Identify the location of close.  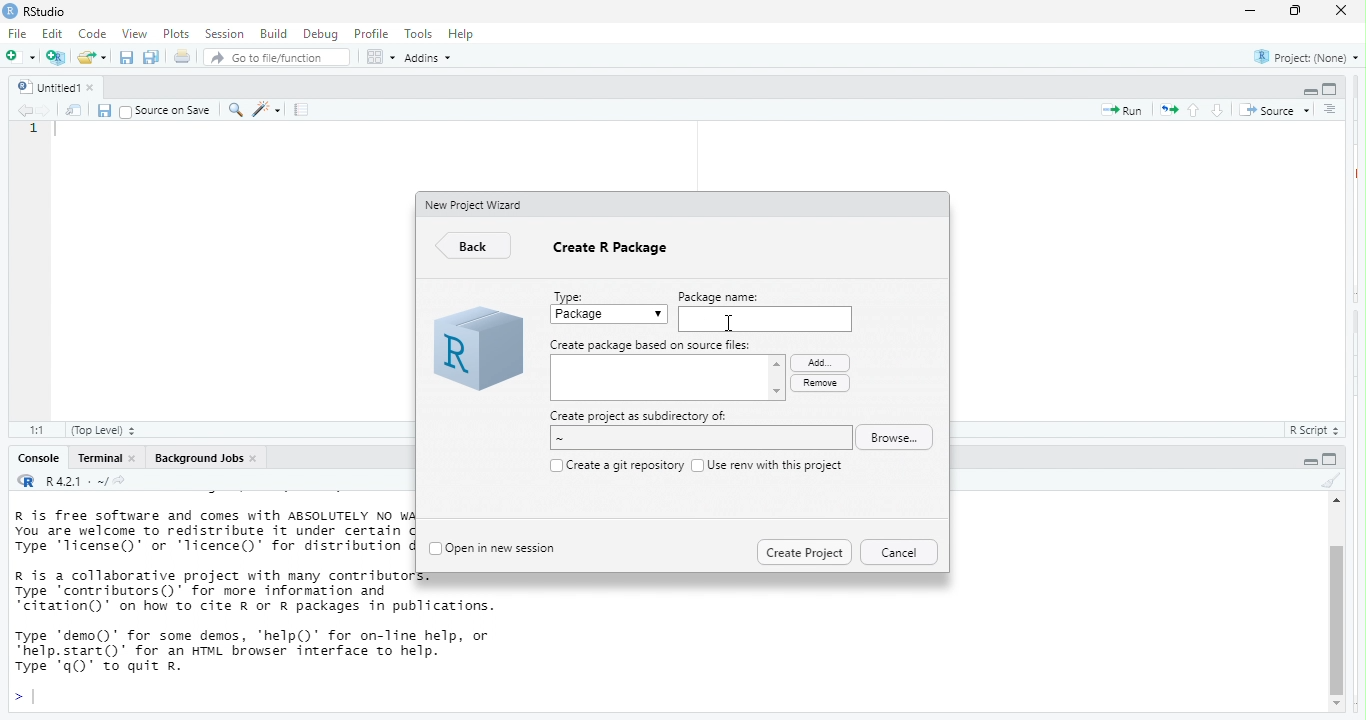
(98, 87).